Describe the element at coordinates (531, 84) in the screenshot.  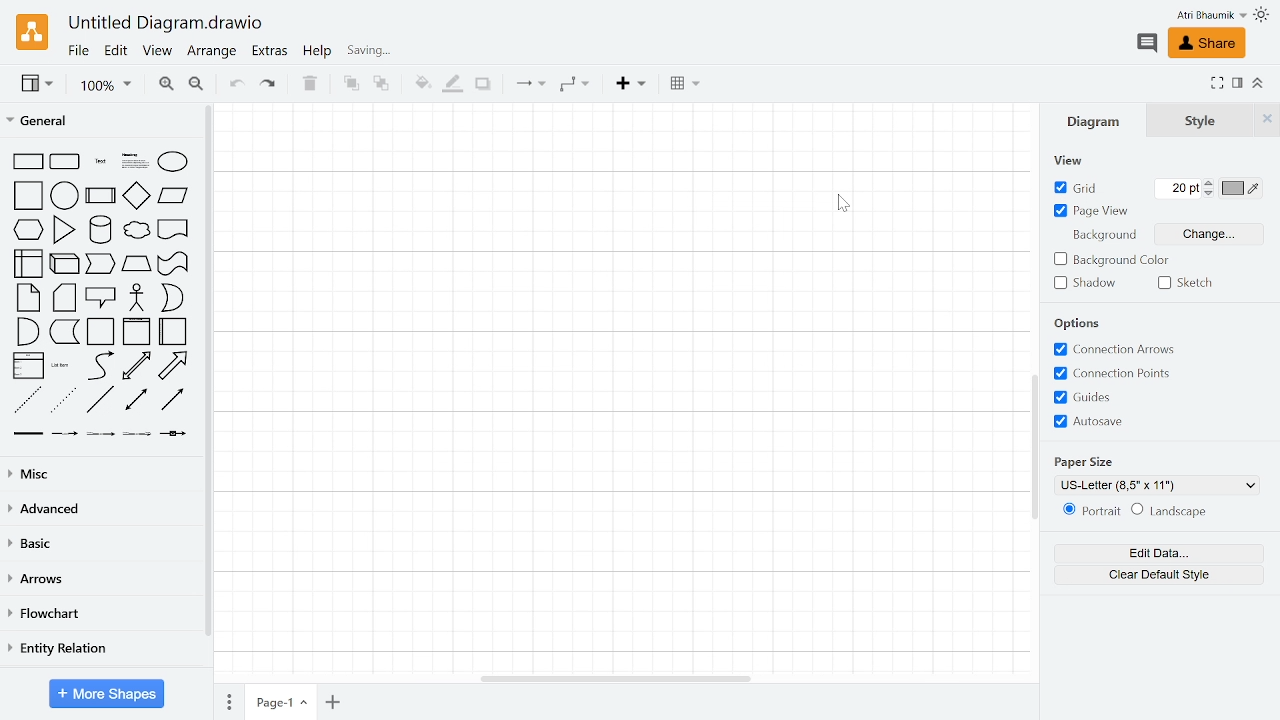
I see `Connections ` at that location.